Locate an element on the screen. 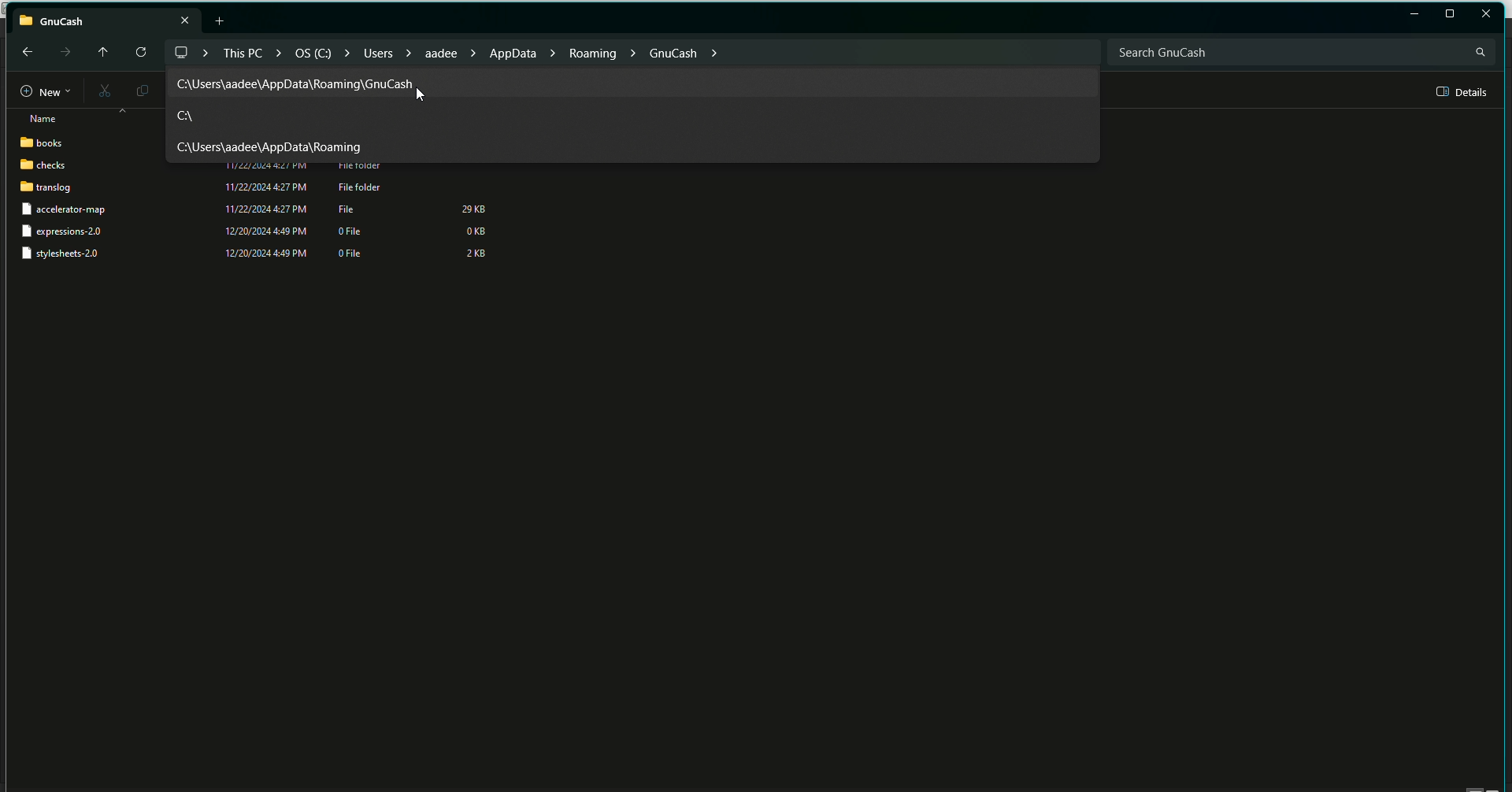 This screenshot has width=1512, height=792. expressions is located at coordinates (67, 231).